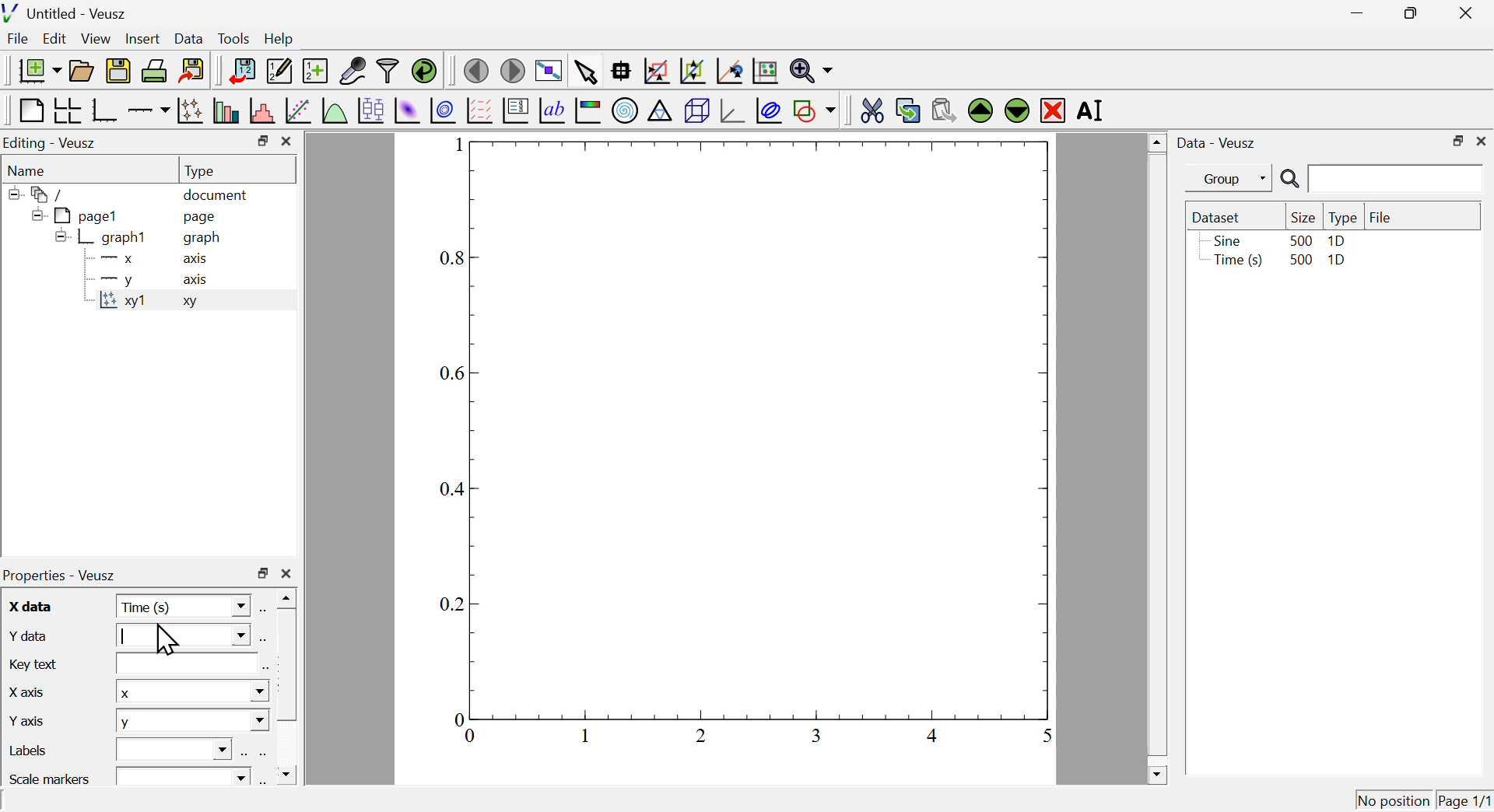  Describe the element at coordinates (980, 110) in the screenshot. I see `move the selected widget up` at that location.